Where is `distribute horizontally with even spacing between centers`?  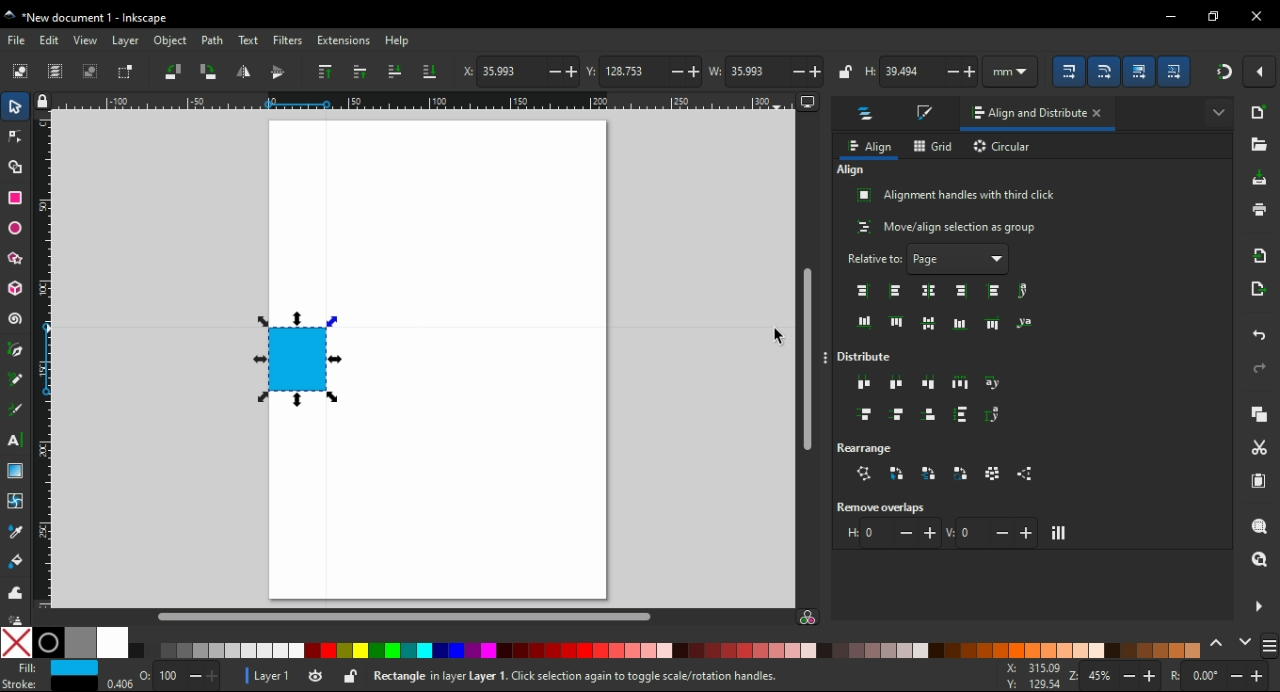 distribute horizontally with even spacing between centers is located at coordinates (897, 385).